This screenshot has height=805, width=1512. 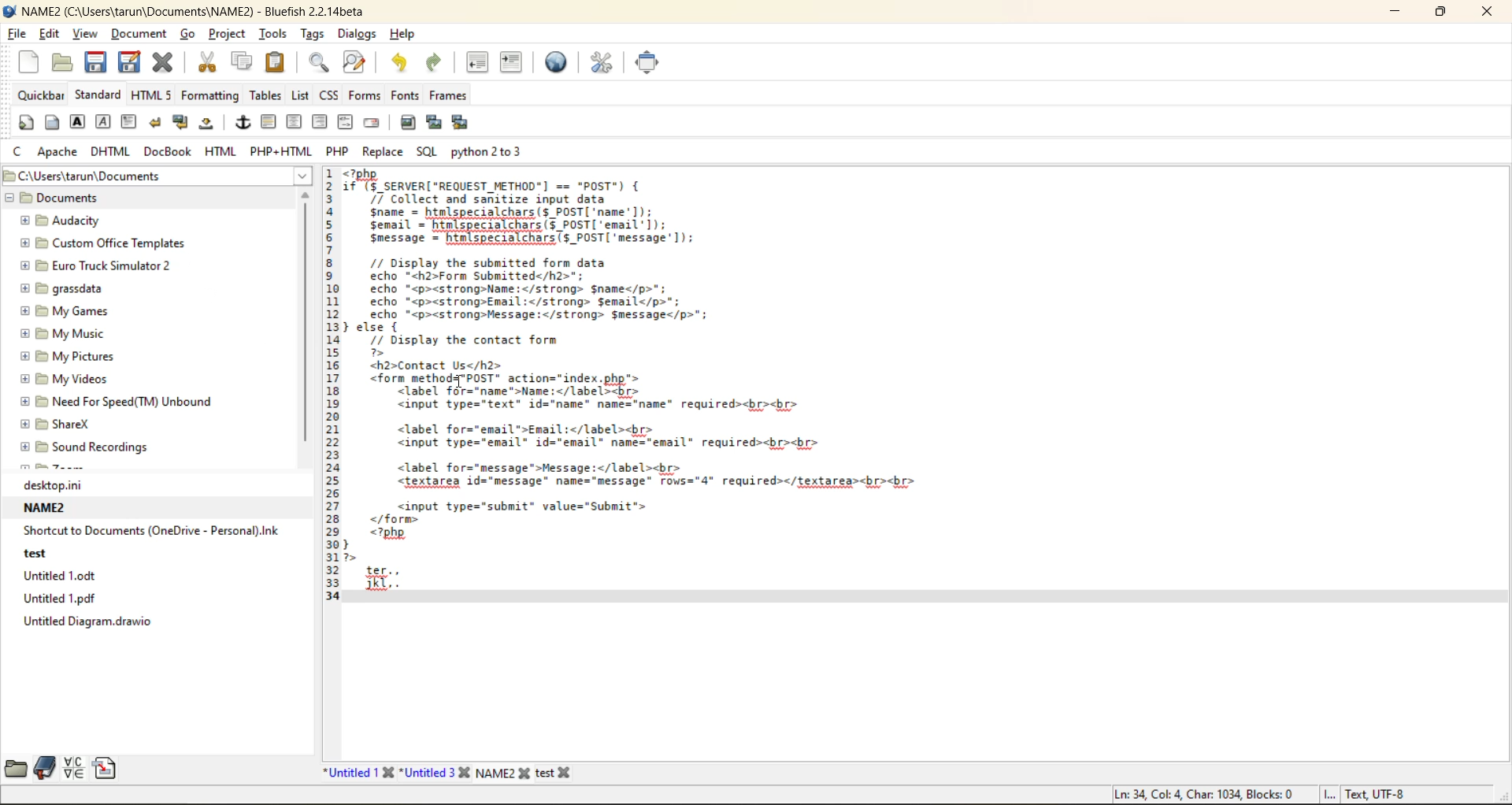 What do you see at coordinates (117, 400) in the screenshot?
I see `need for speed(TM) unbound` at bounding box center [117, 400].